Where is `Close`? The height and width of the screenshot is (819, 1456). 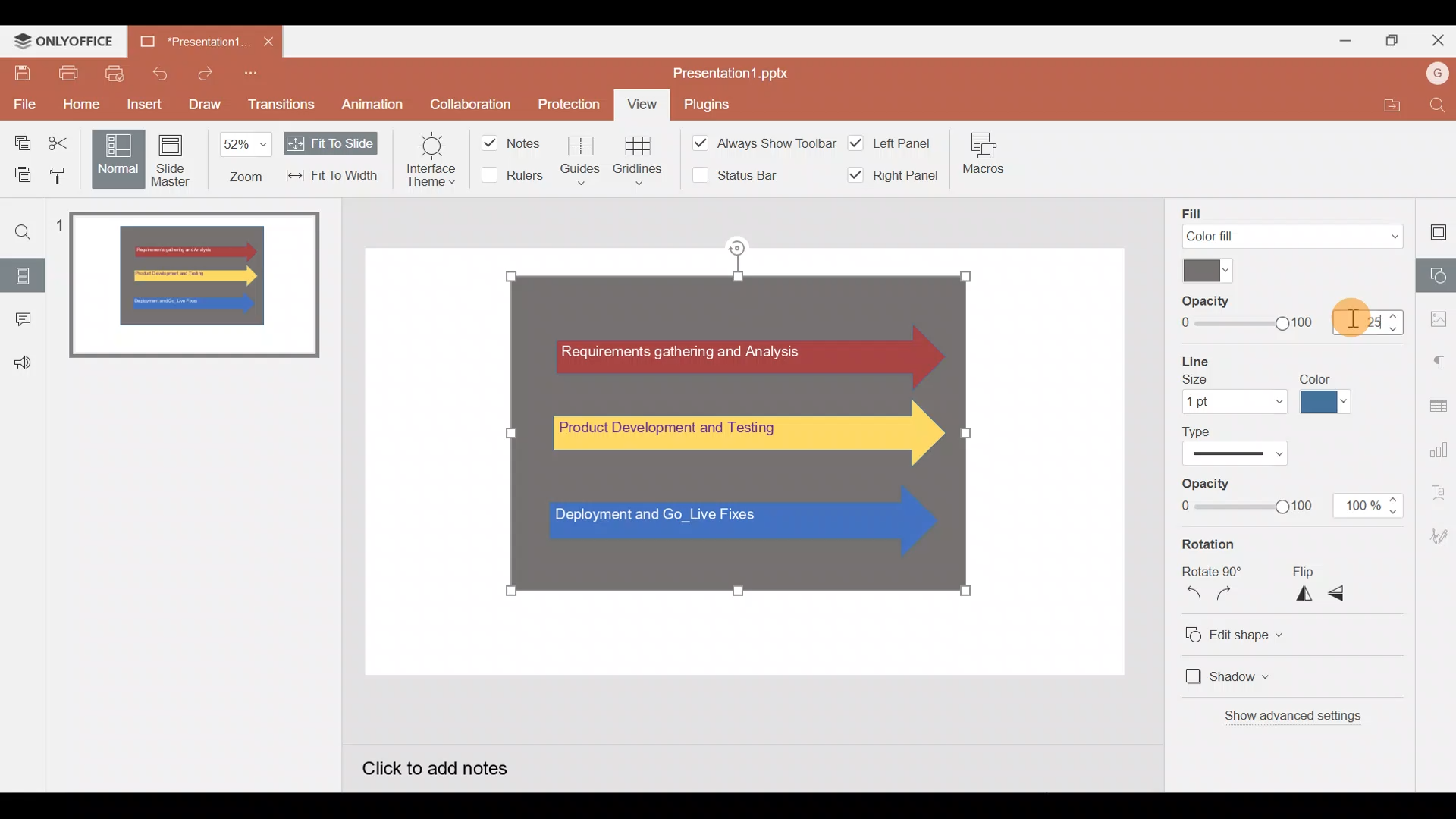
Close is located at coordinates (1436, 42).